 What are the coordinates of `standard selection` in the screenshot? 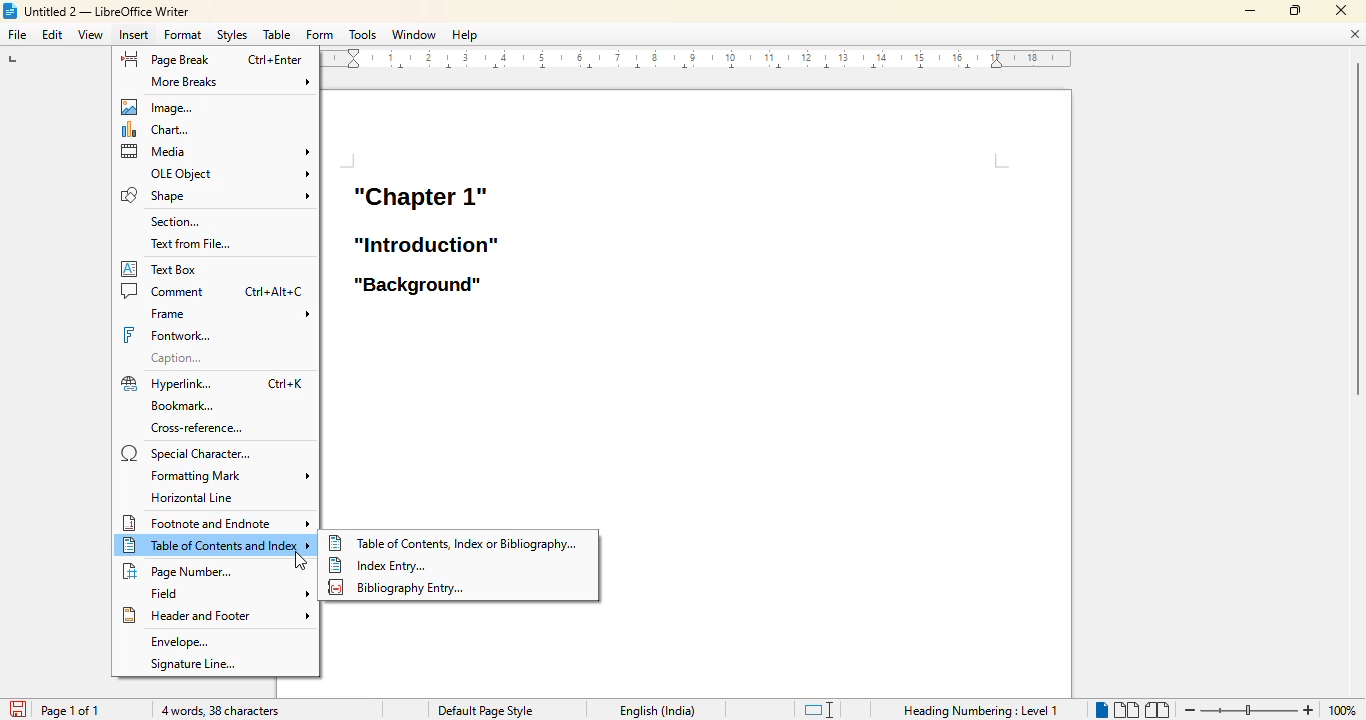 It's located at (819, 709).